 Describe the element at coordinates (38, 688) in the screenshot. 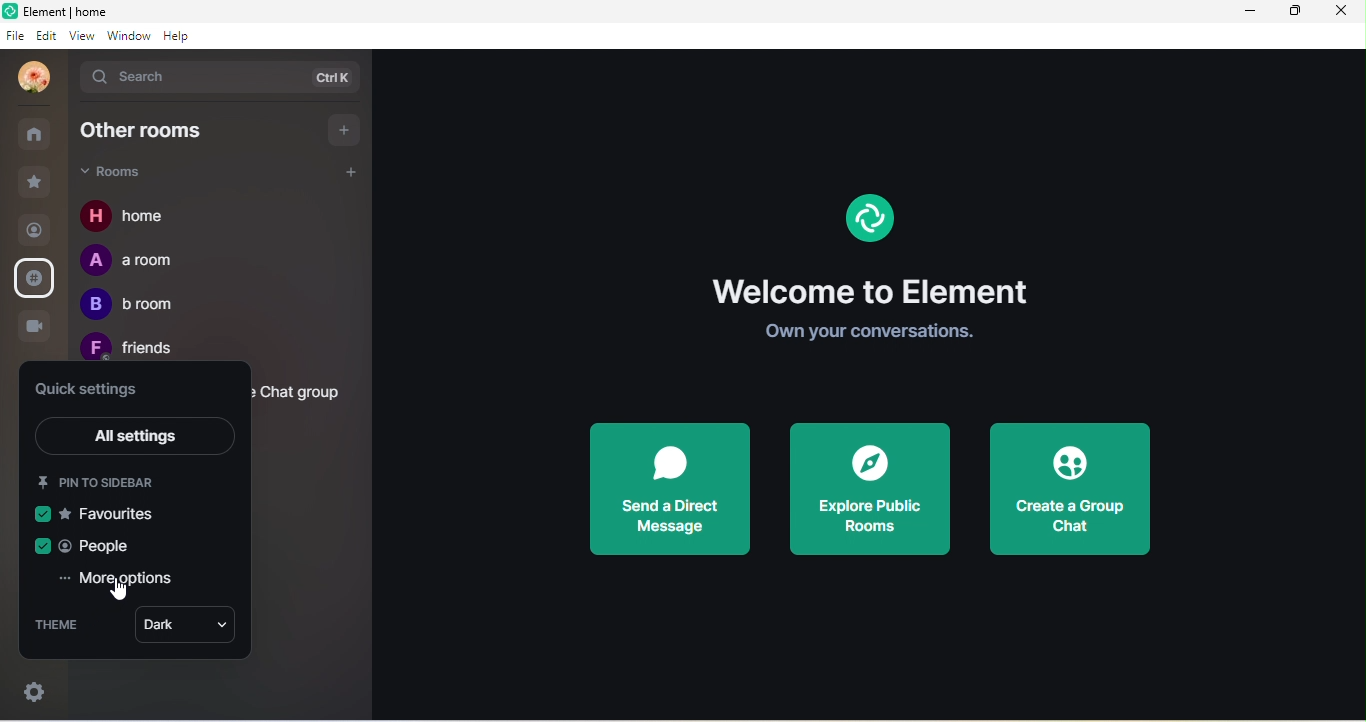

I see `settings` at that location.